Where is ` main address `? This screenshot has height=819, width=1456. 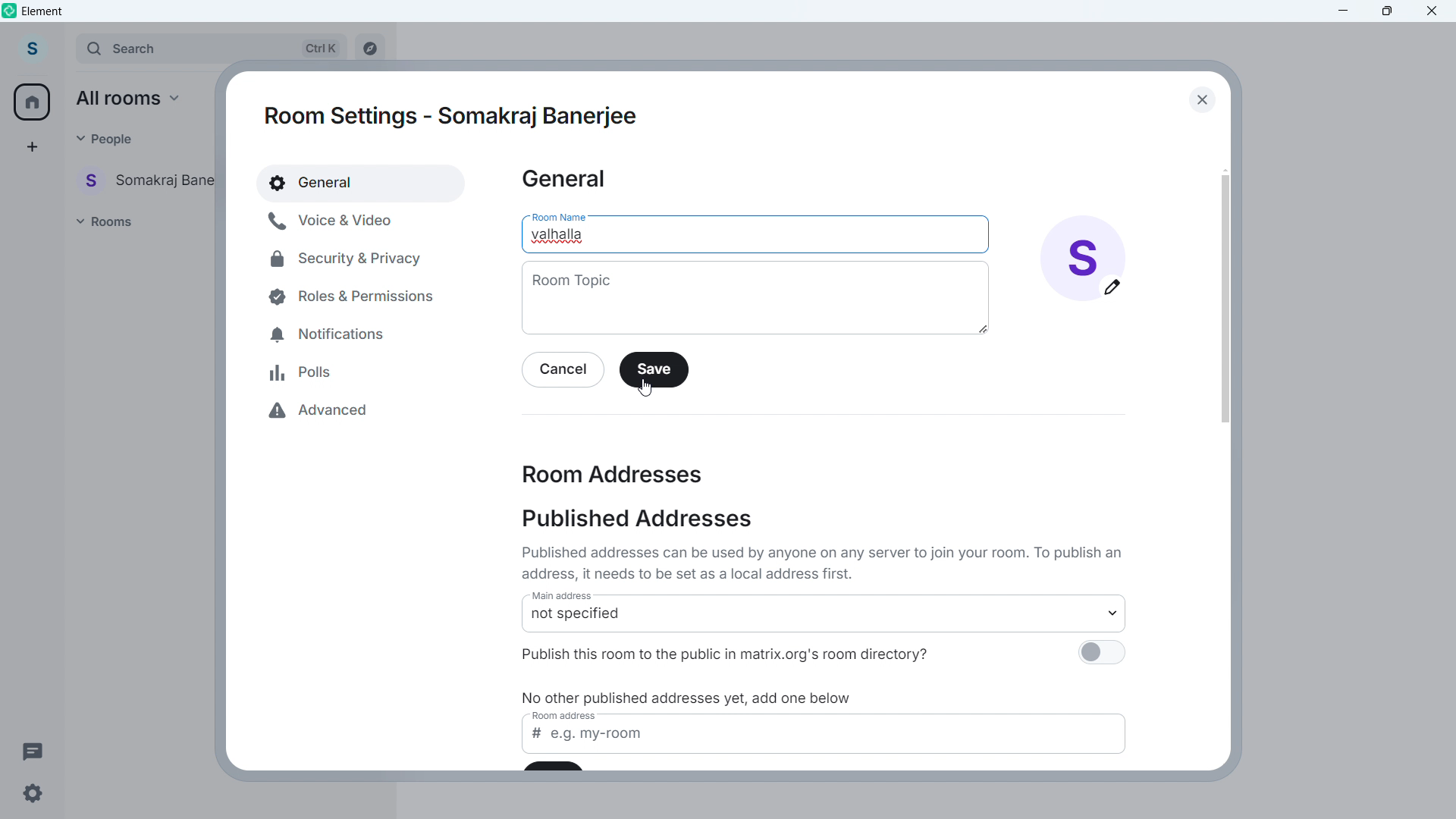
 main address  is located at coordinates (569, 598).